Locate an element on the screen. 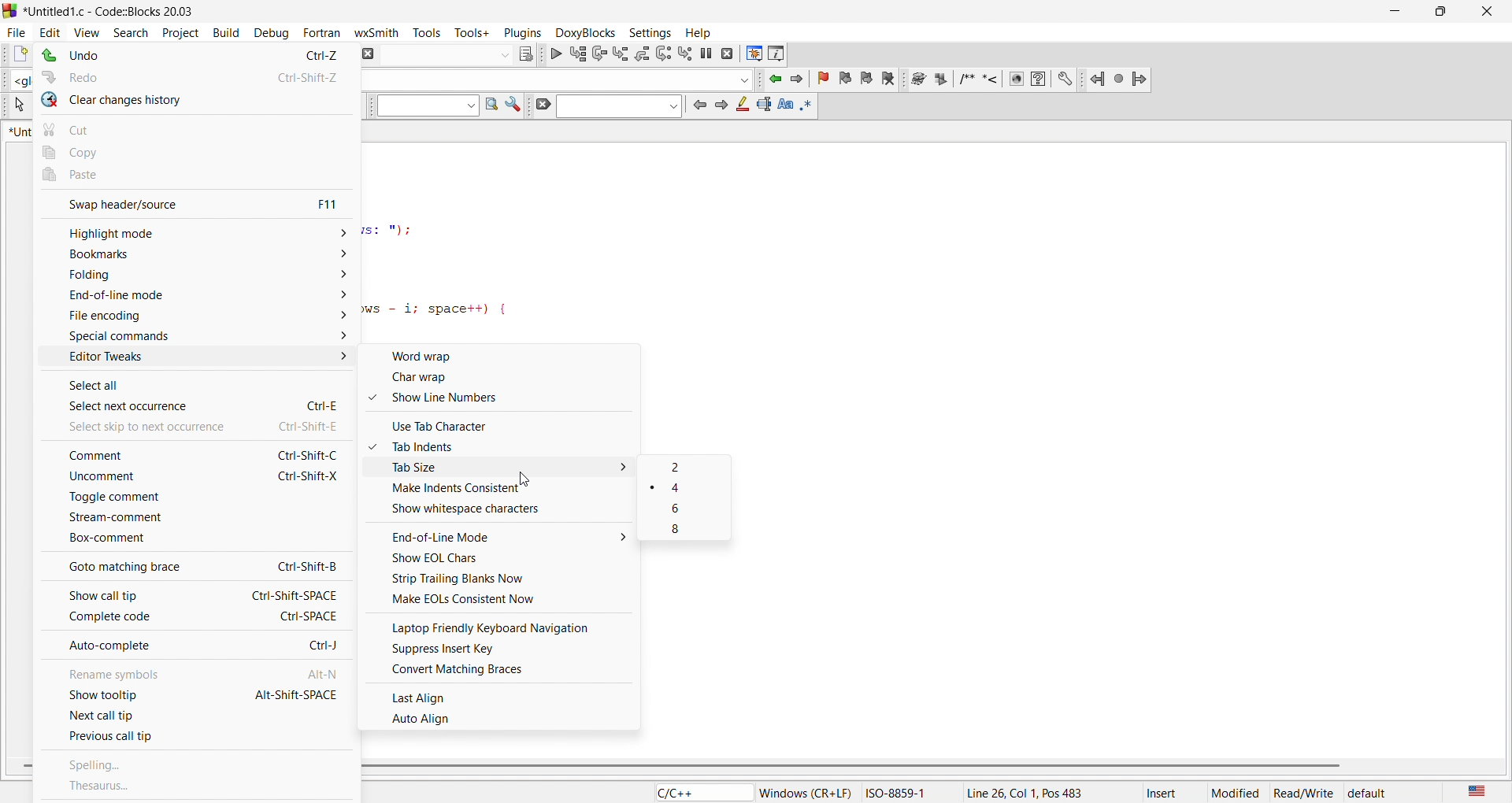 This screenshot has height=803, width=1512. make indents consistent is located at coordinates (507, 490).